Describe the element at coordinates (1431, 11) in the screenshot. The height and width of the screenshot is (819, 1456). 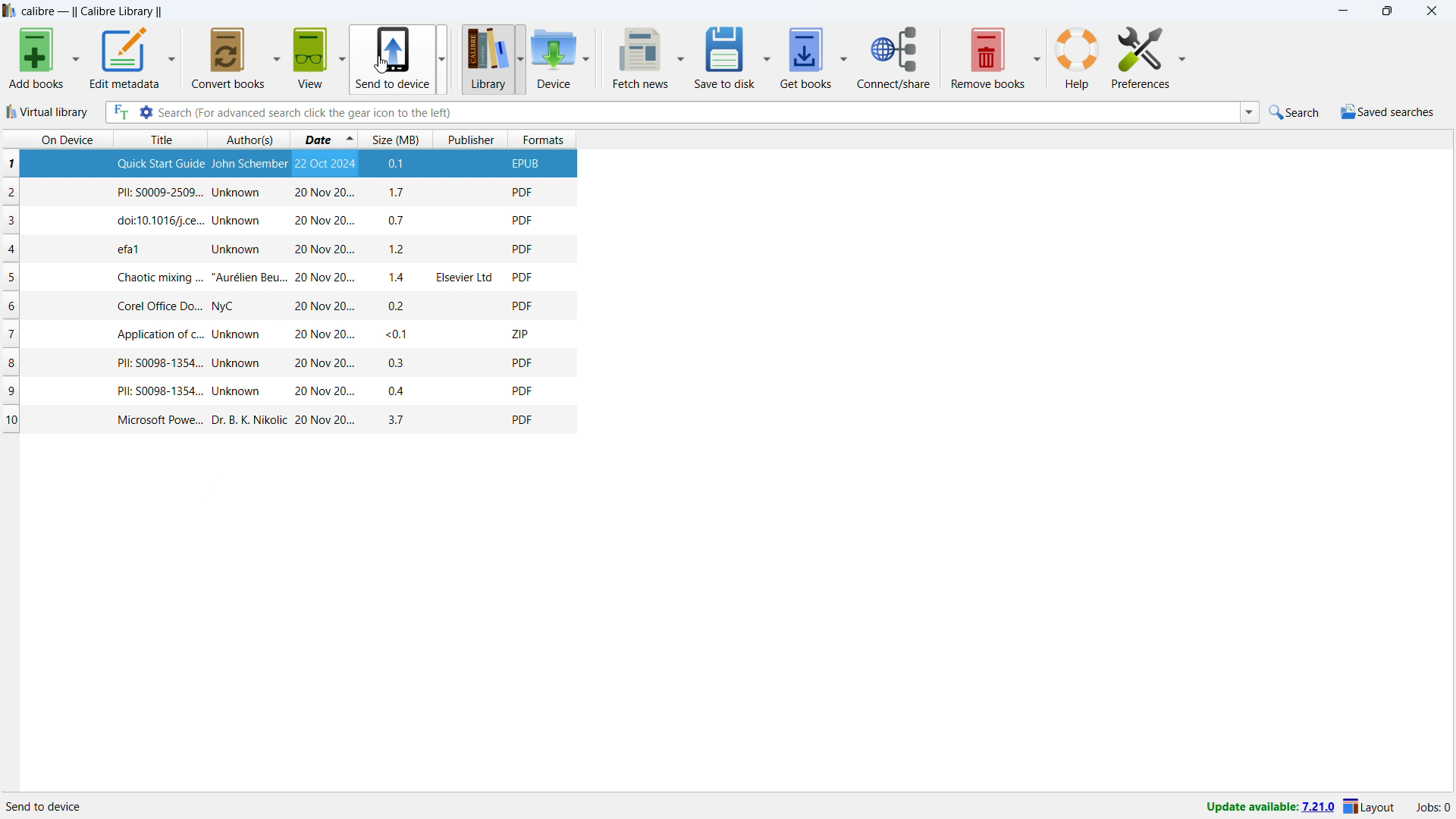
I see `close` at that location.